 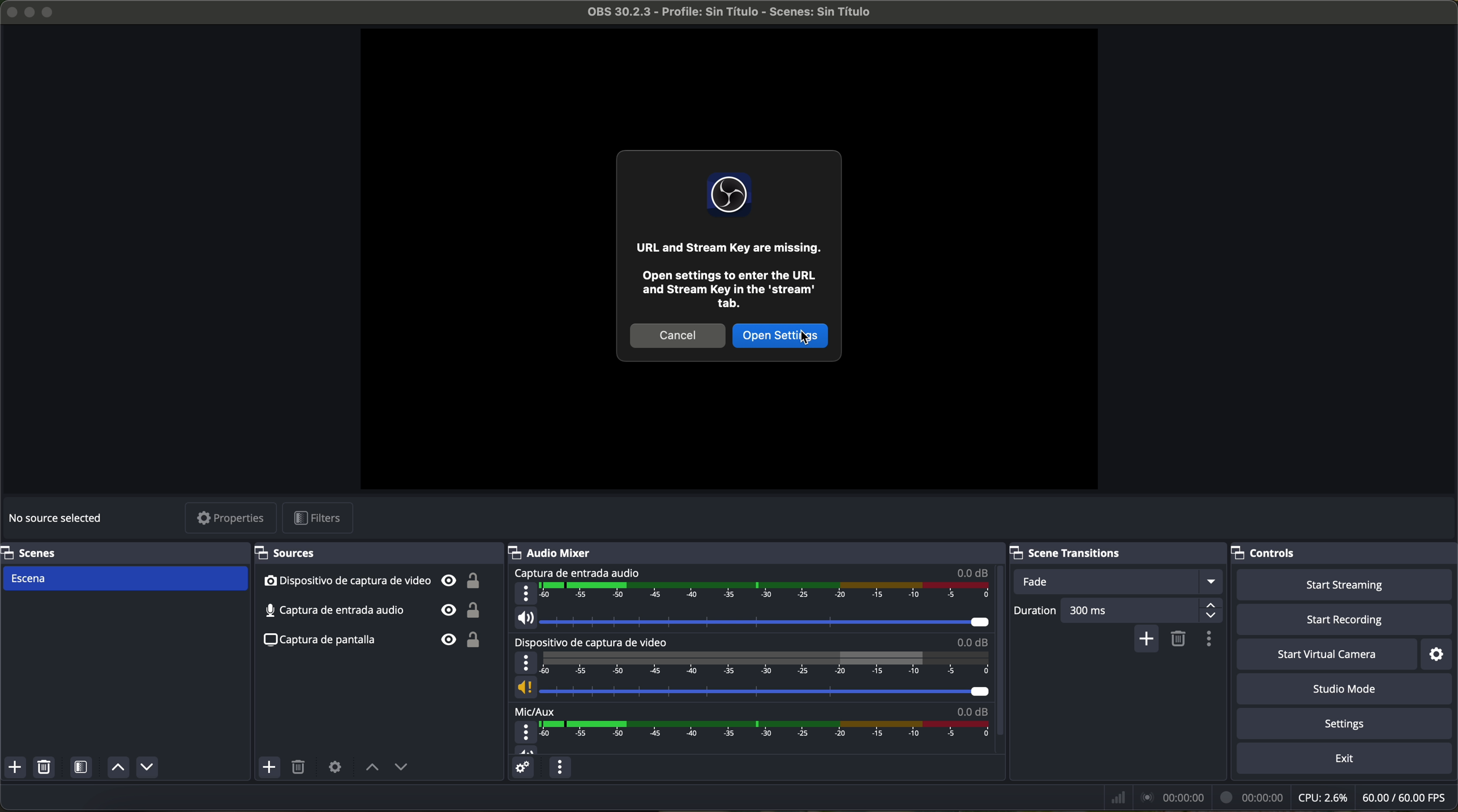 What do you see at coordinates (1277, 797) in the screenshot?
I see `data` at bounding box center [1277, 797].